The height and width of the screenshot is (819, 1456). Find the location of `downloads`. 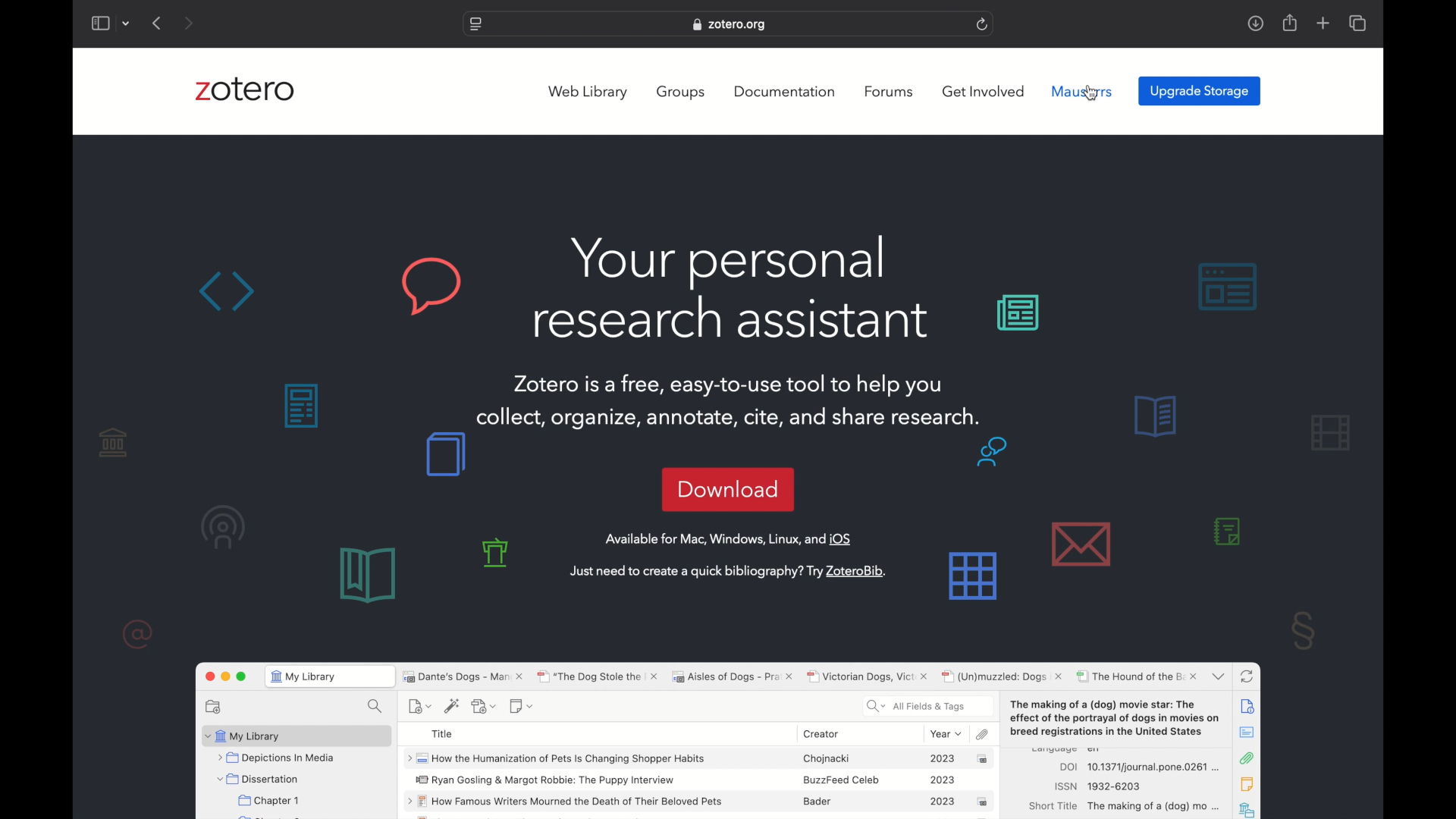

downloads is located at coordinates (1256, 23).